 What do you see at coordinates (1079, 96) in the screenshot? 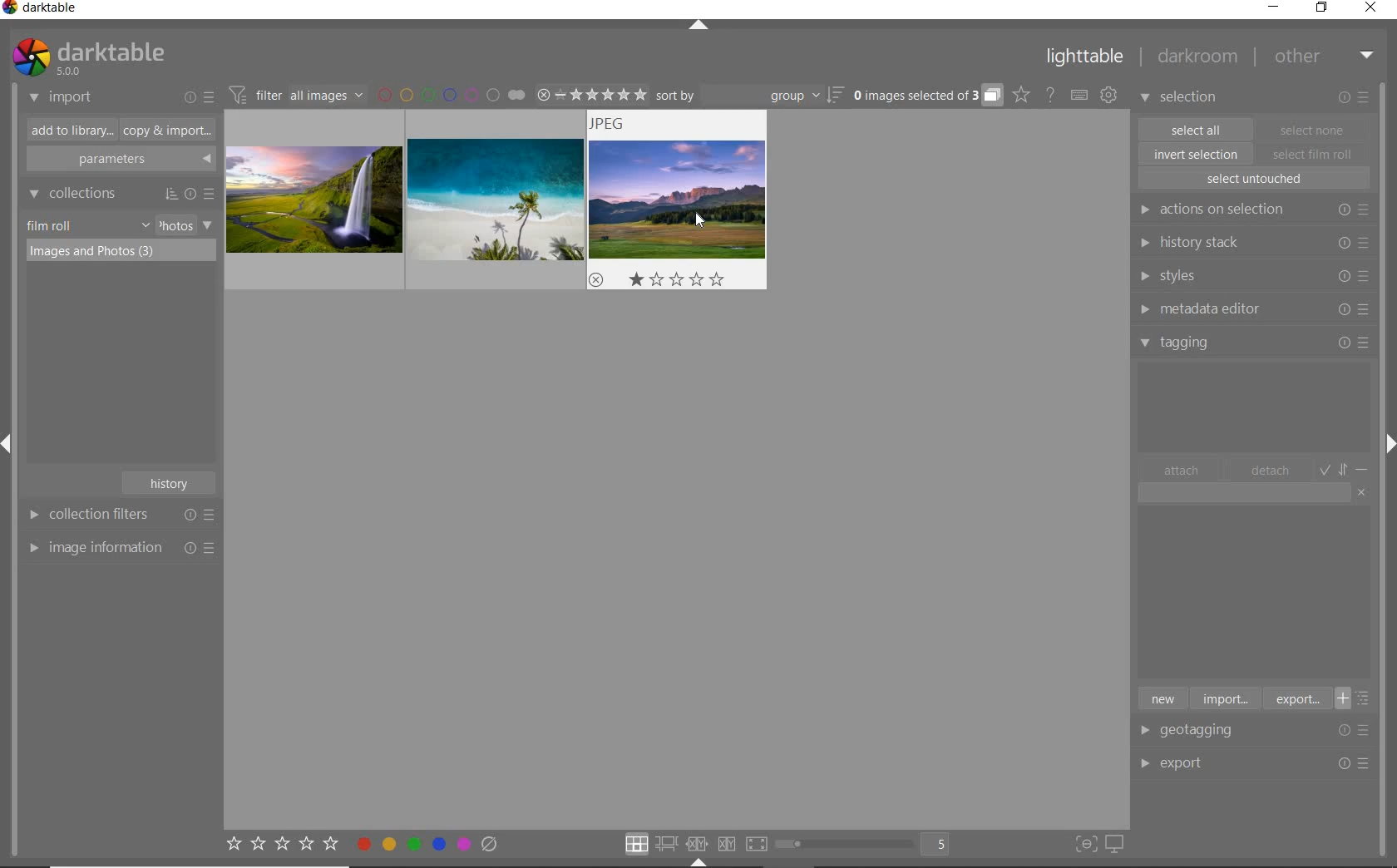
I see `set keyboard shortcut` at bounding box center [1079, 96].